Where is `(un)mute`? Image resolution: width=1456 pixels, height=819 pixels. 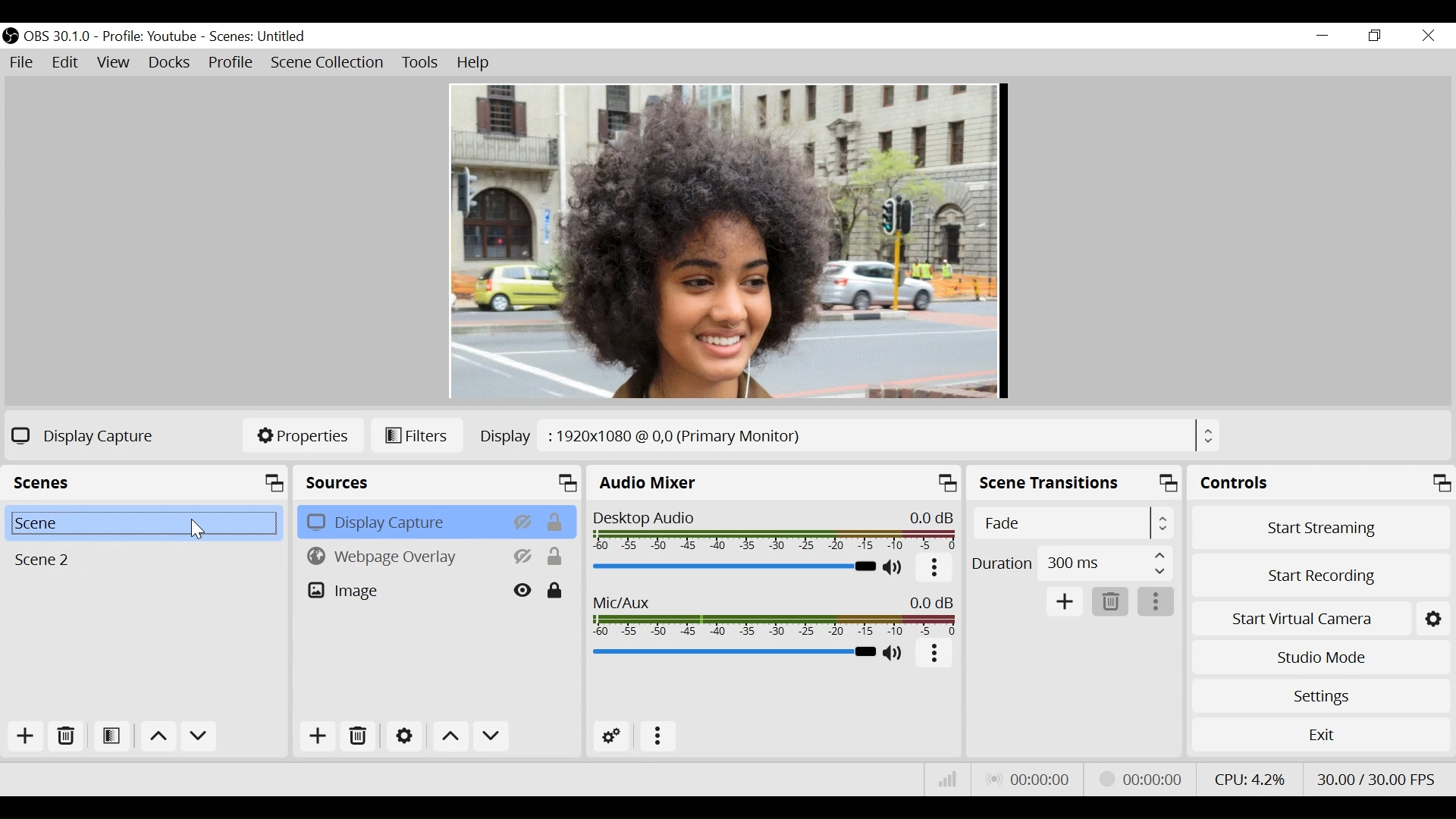 (un)mute is located at coordinates (895, 569).